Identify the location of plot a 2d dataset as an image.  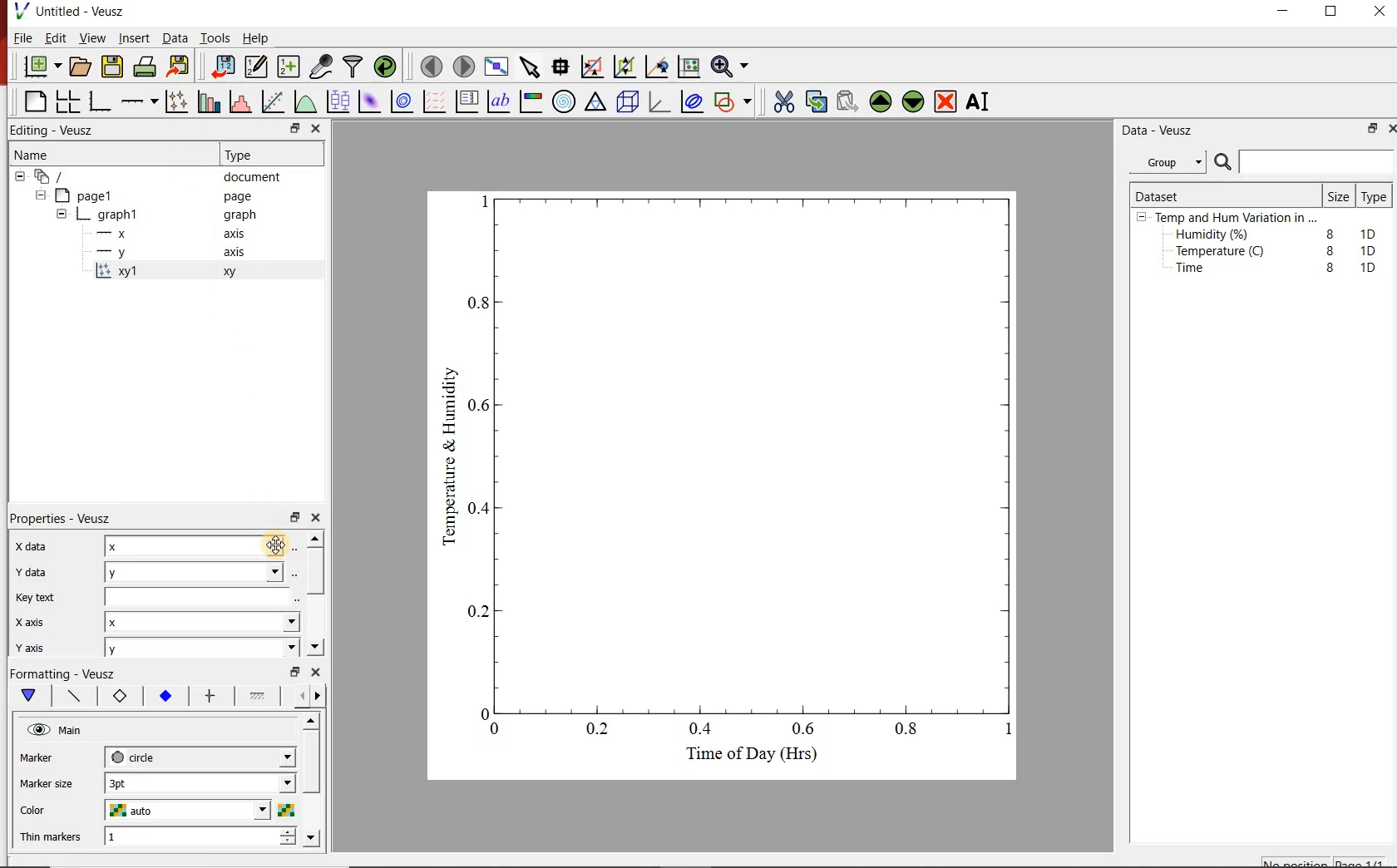
(370, 102).